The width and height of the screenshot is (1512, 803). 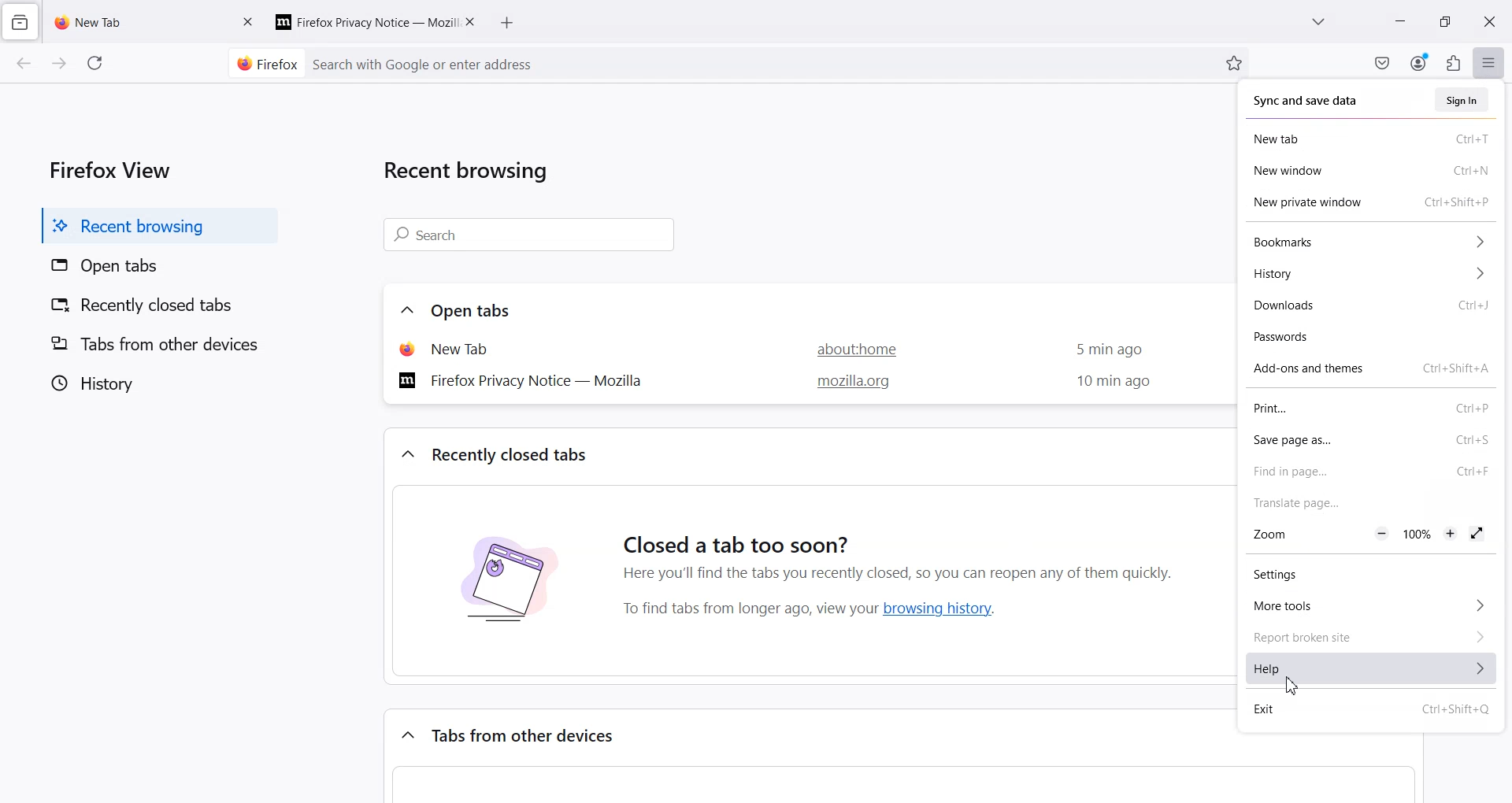 What do you see at coordinates (1293, 686) in the screenshot?
I see `Cursor` at bounding box center [1293, 686].